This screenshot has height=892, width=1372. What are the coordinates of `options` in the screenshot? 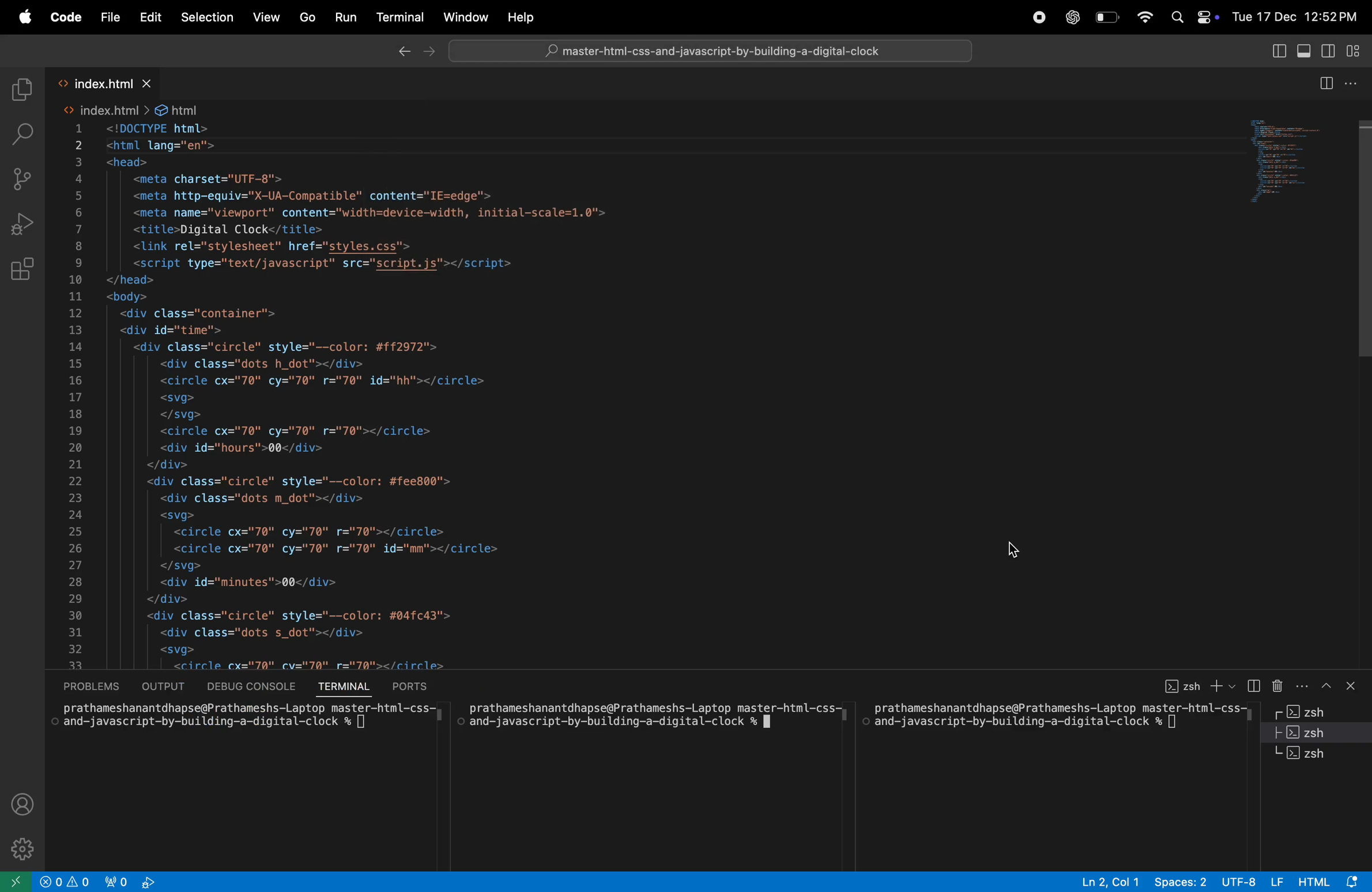 It's located at (1354, 83).